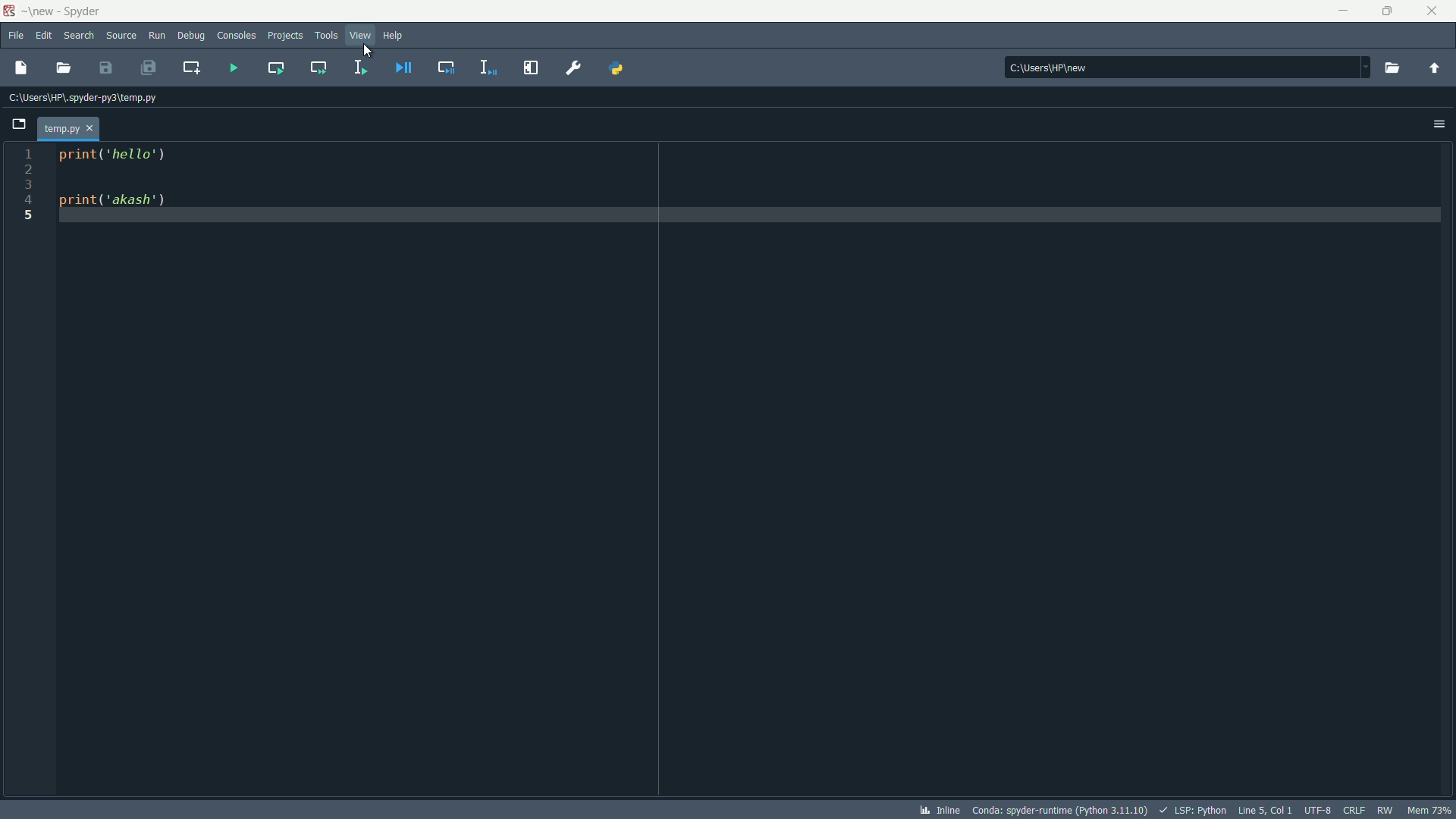 The width and height of the screenshot is (1456, 819). I want to click on options, so click(1438, 123).